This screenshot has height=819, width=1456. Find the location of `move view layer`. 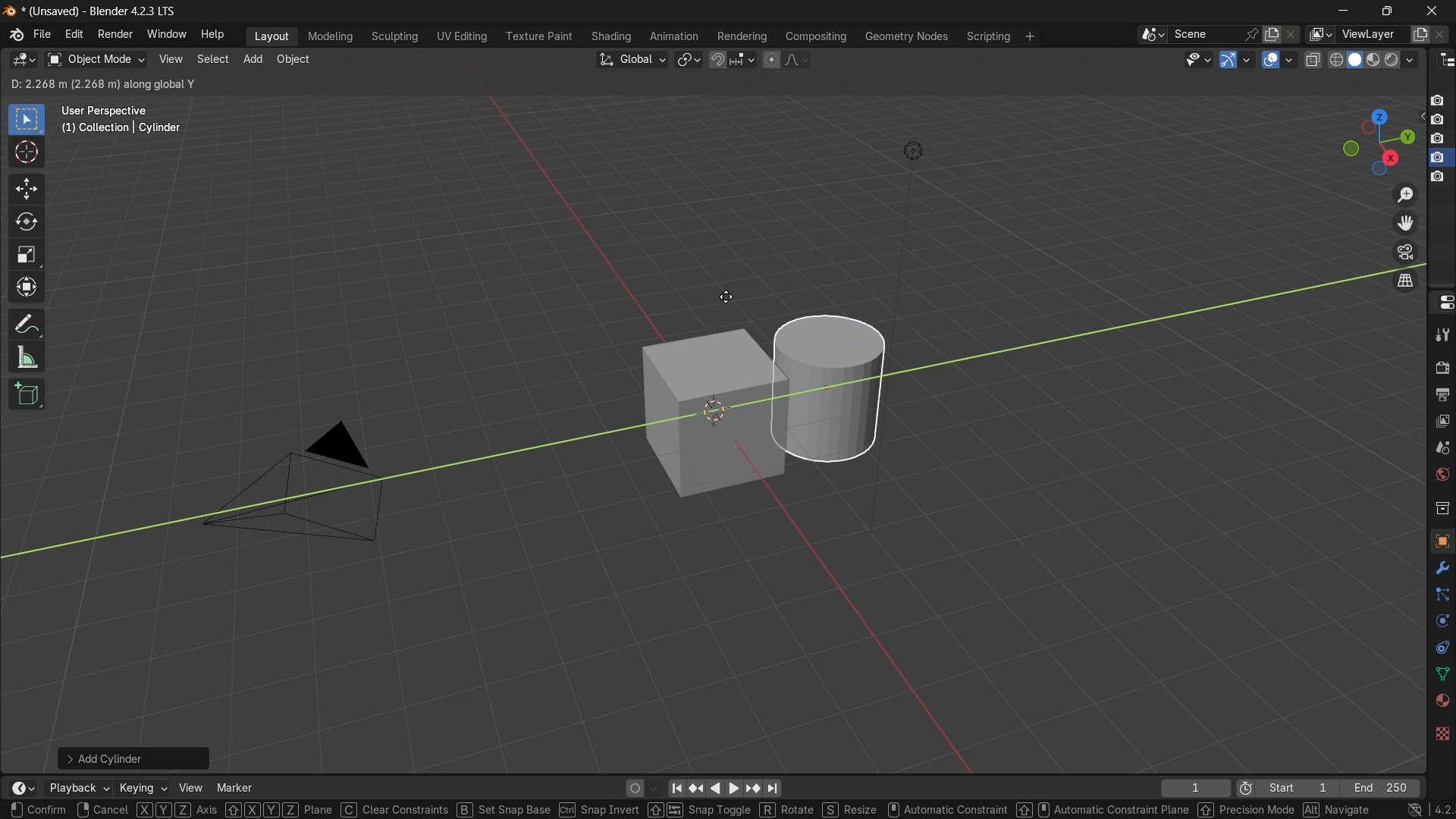

move view layer is located at coordinates (1406, 224).